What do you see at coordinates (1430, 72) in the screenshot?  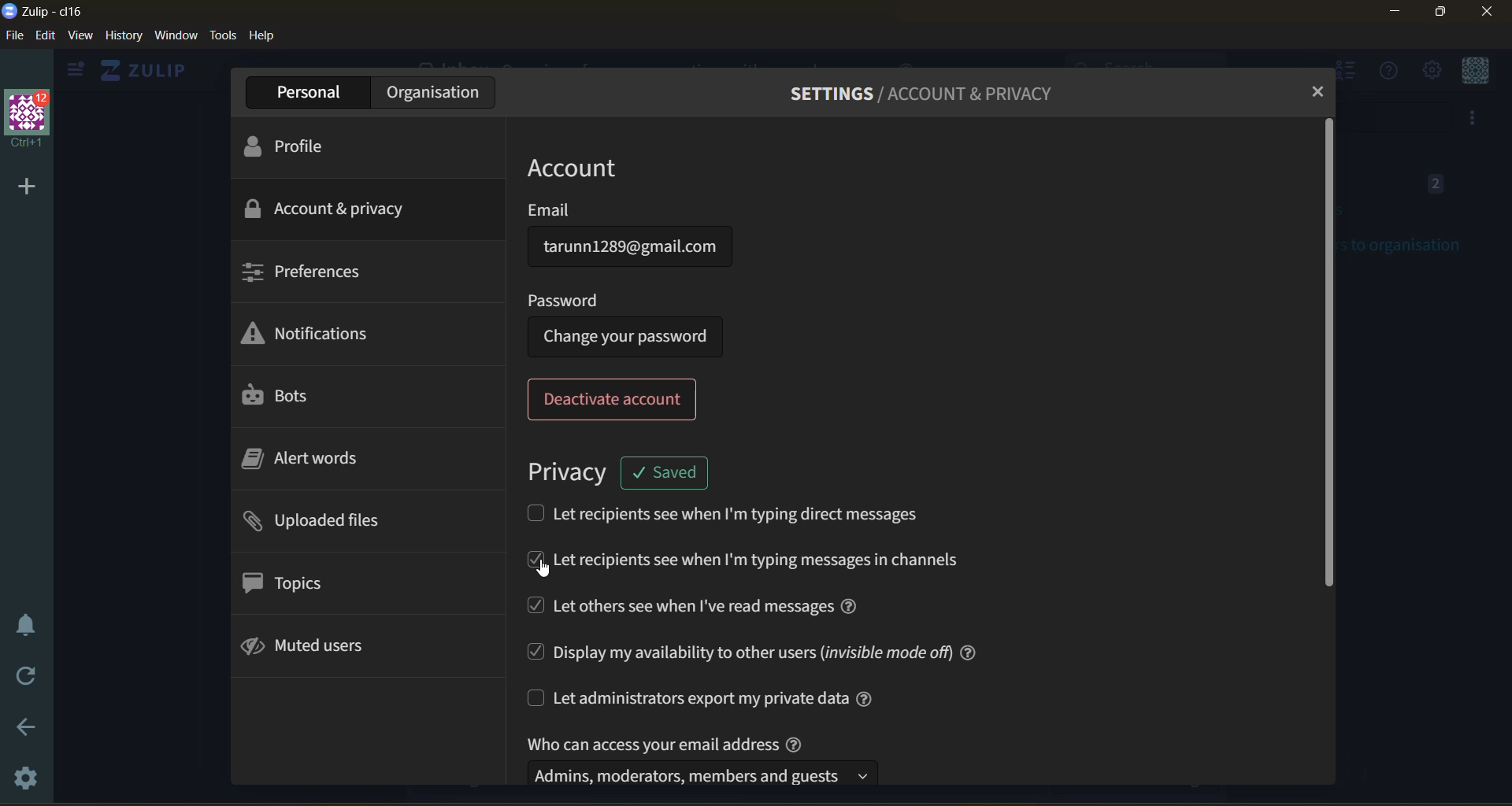 I see `setting` at bounding box center [1430, 72].